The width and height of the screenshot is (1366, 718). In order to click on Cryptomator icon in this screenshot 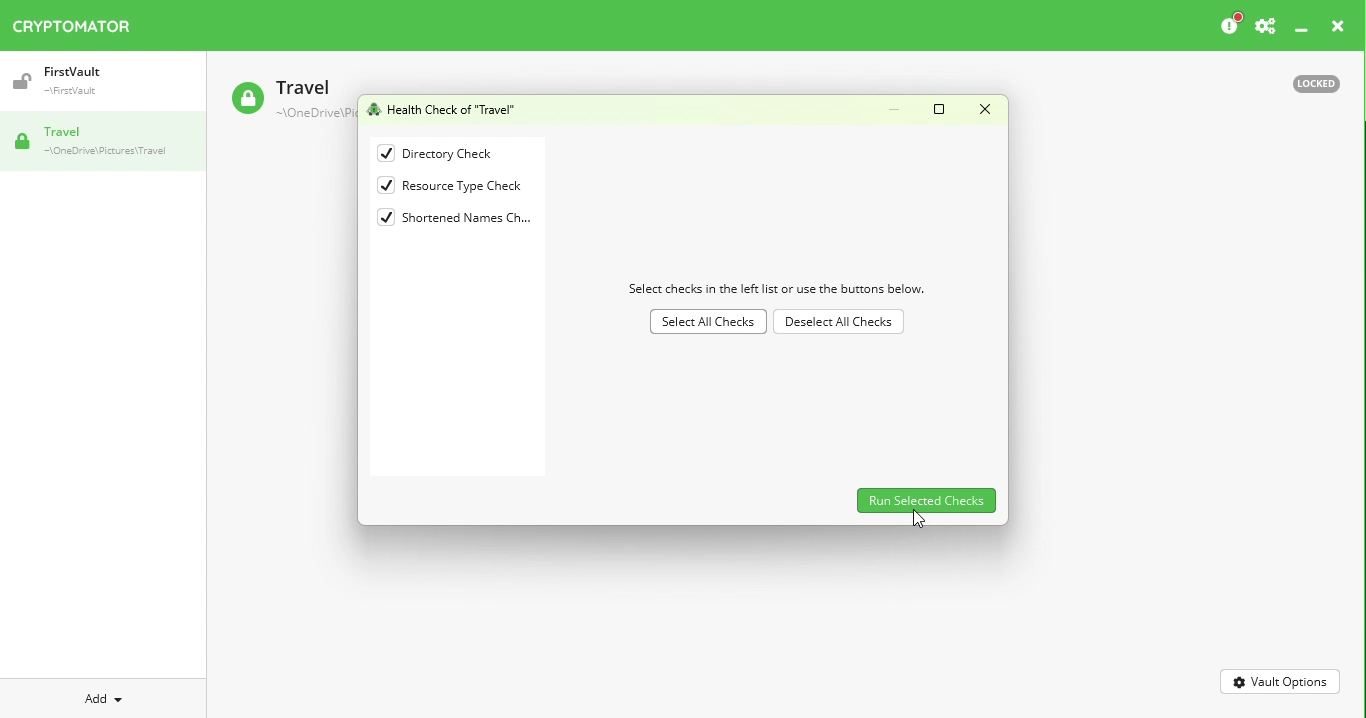, I will do `click(82, 22)`.